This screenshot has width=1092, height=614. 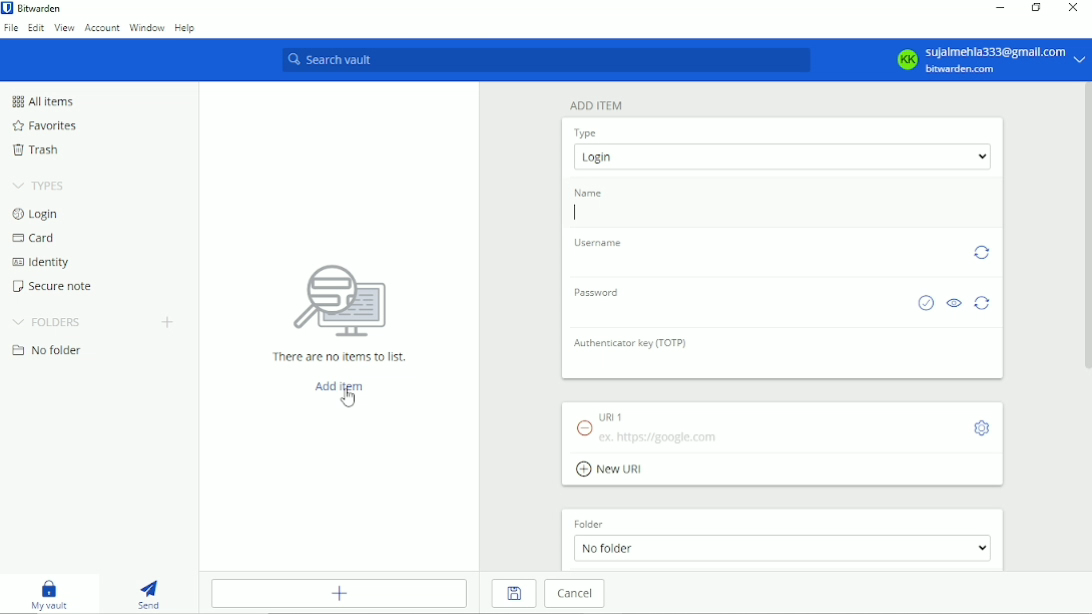 What do you see at coordinates (591, 524) in the screenshot?
I see `folder` at bounding box center [591, 524].